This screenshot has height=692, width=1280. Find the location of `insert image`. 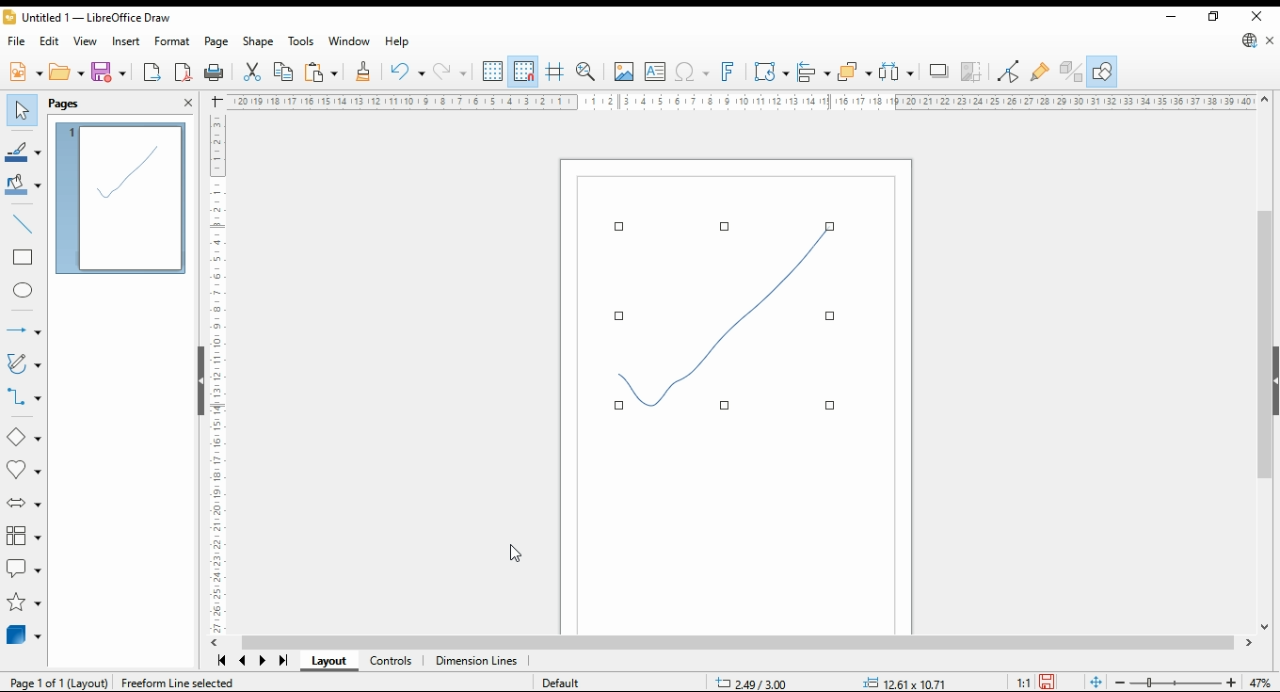

insert image is located at coordinates (624, 71).